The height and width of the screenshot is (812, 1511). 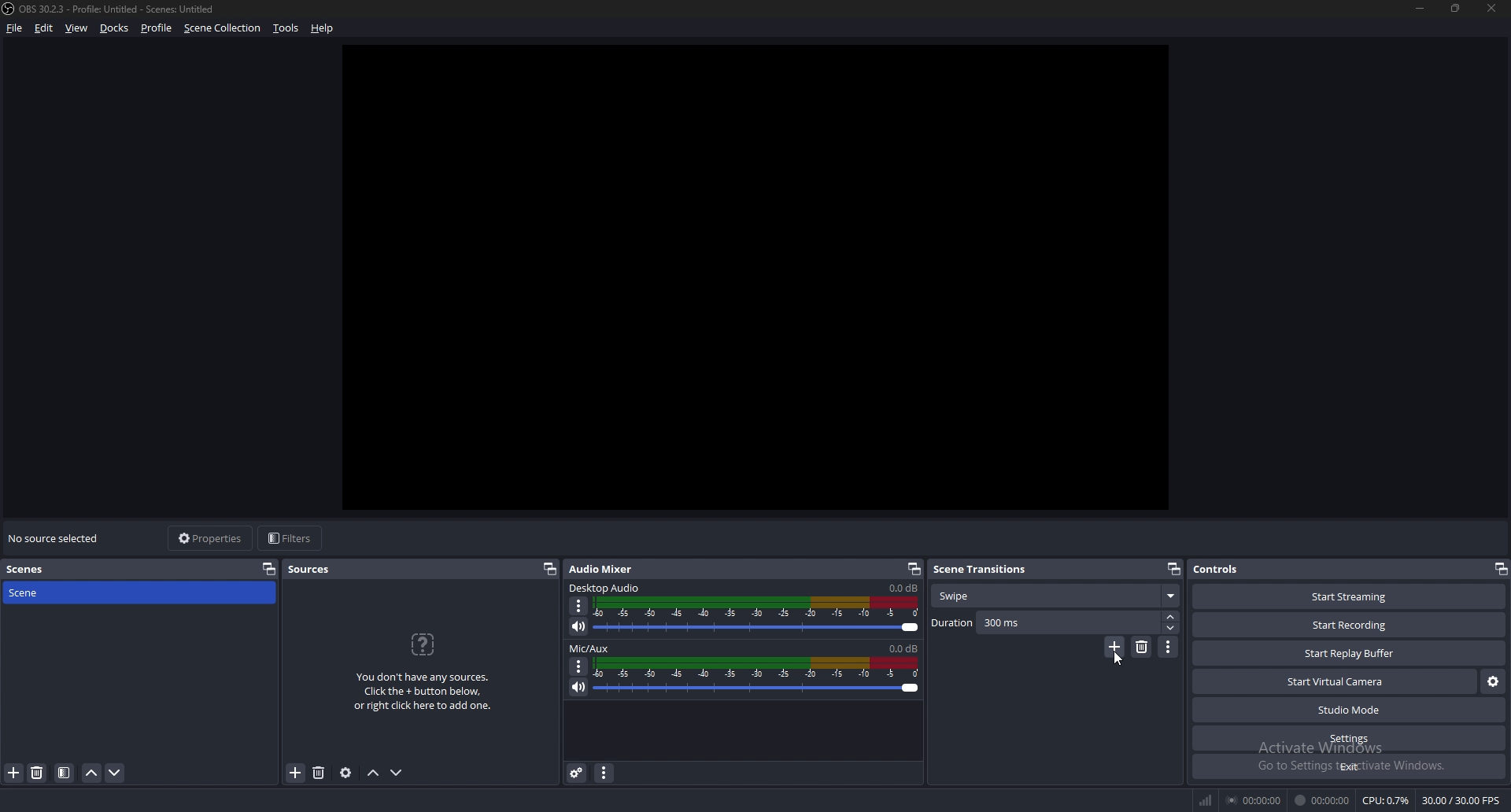 What do you see at coordinates (1334, 681) in the screenshot?
I see `start virtual camera` at bounding box center [1334, 681].